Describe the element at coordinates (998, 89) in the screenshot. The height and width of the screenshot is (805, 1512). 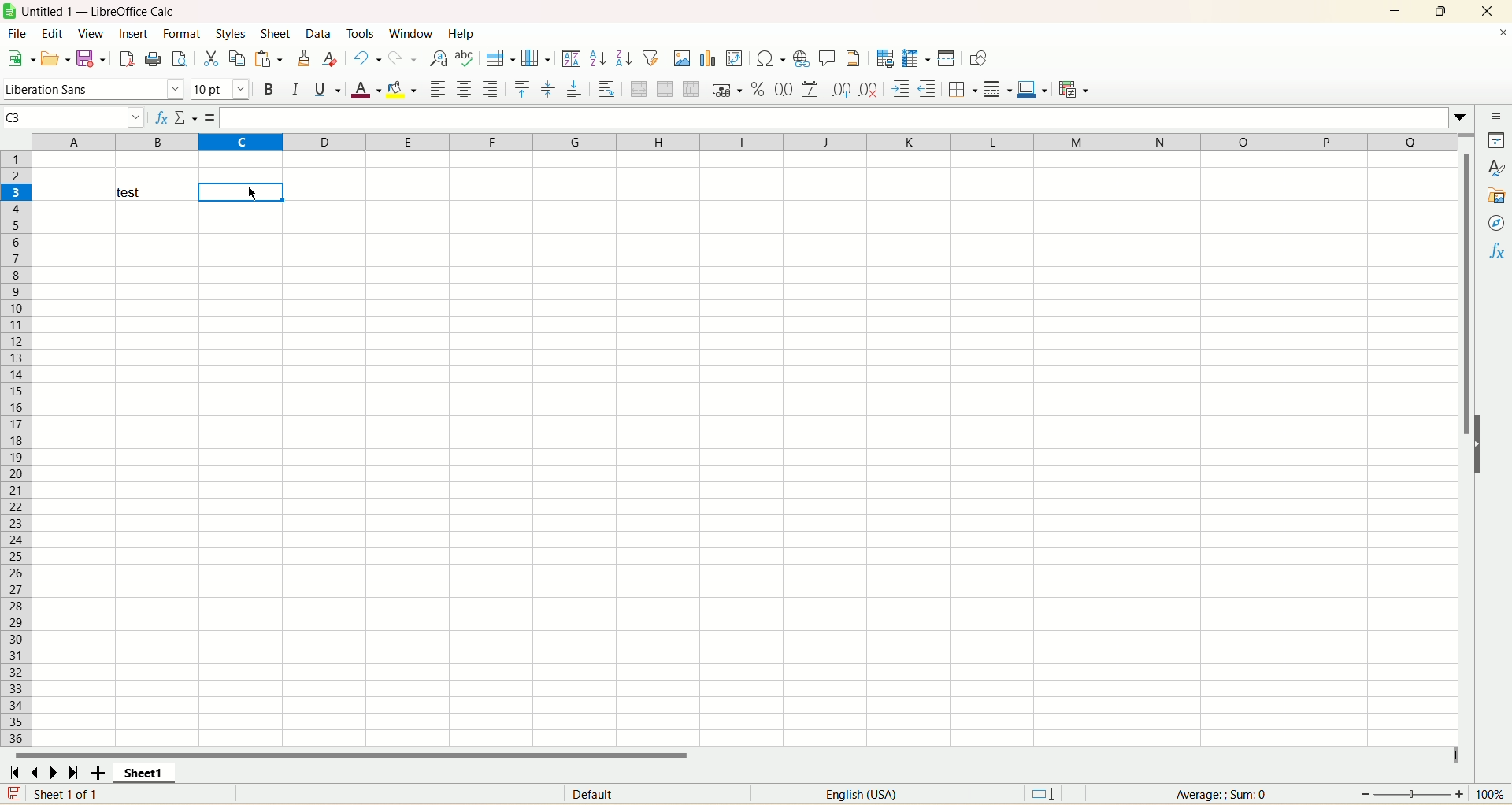
I see `border style` at that location.